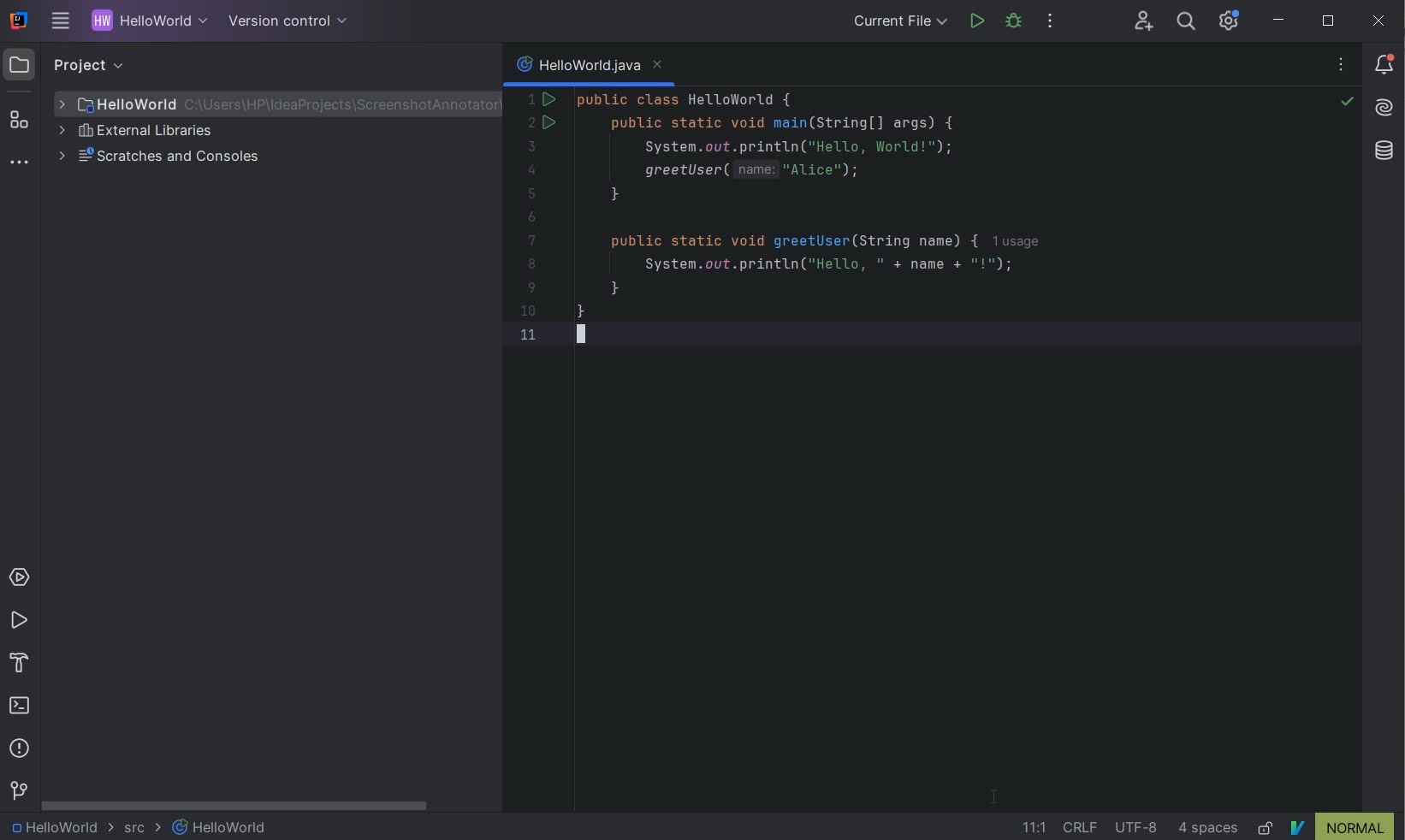 The image size is (1405, 840). I want to click on RUN, so click(977, 21).